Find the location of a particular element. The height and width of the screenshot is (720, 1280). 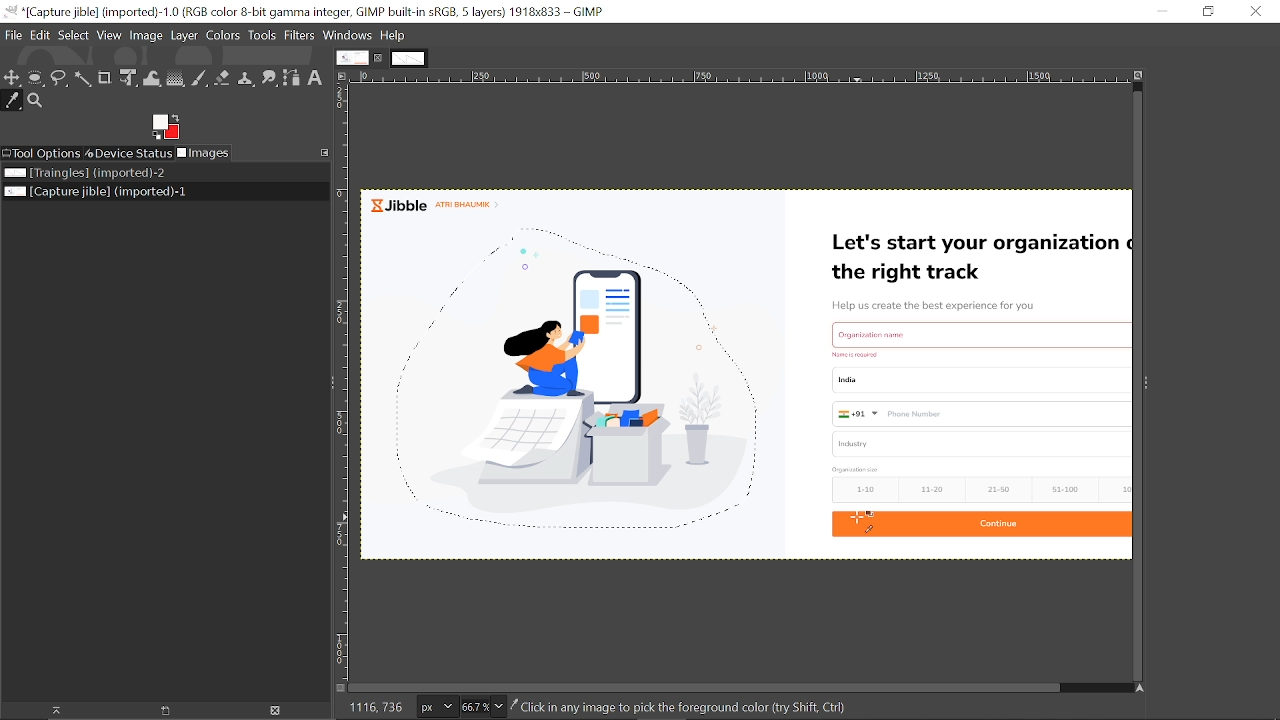

Select tool is located at coordinates (59, 77).